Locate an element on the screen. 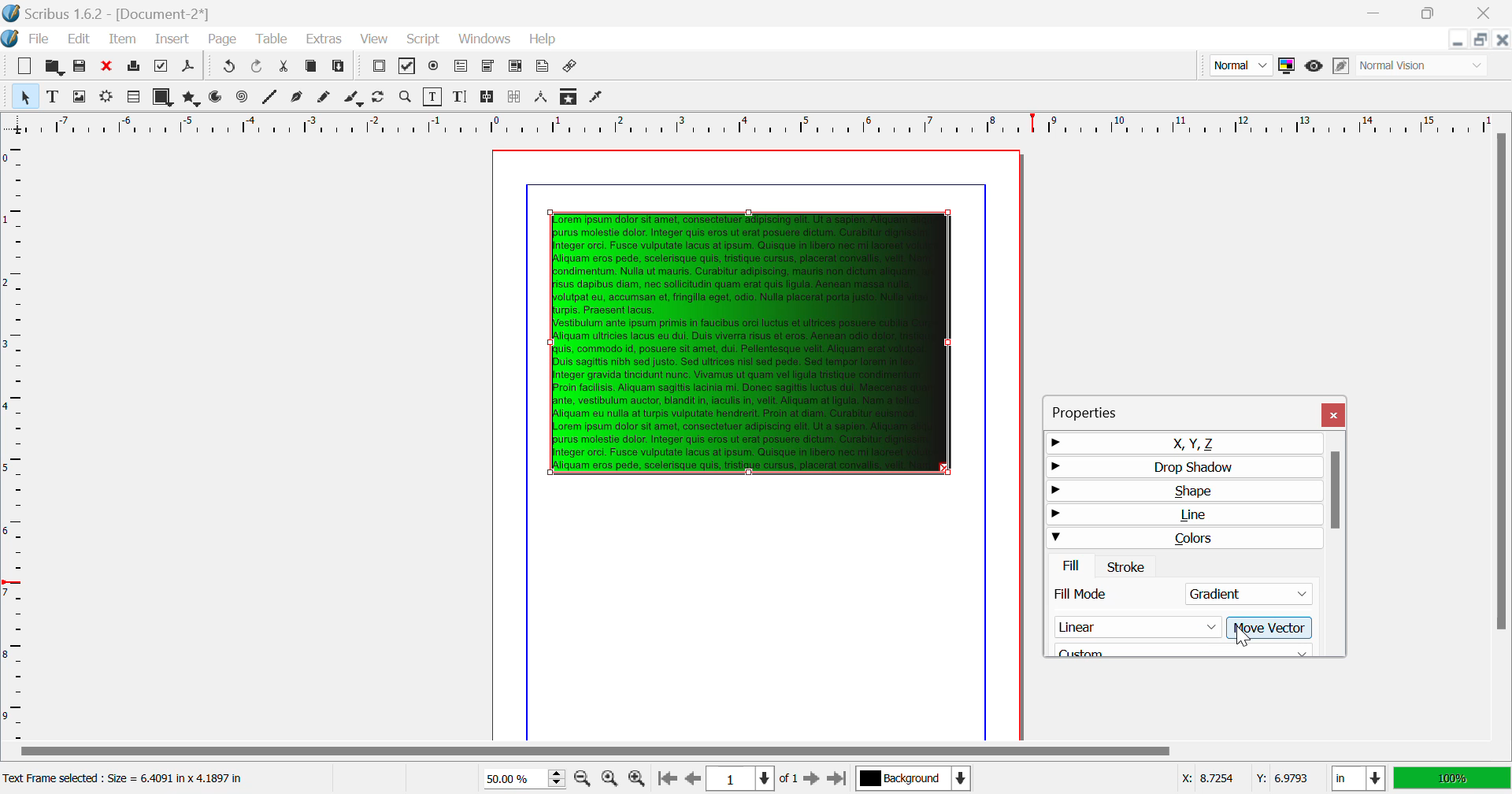  Item is located at coordinates (124, 39).